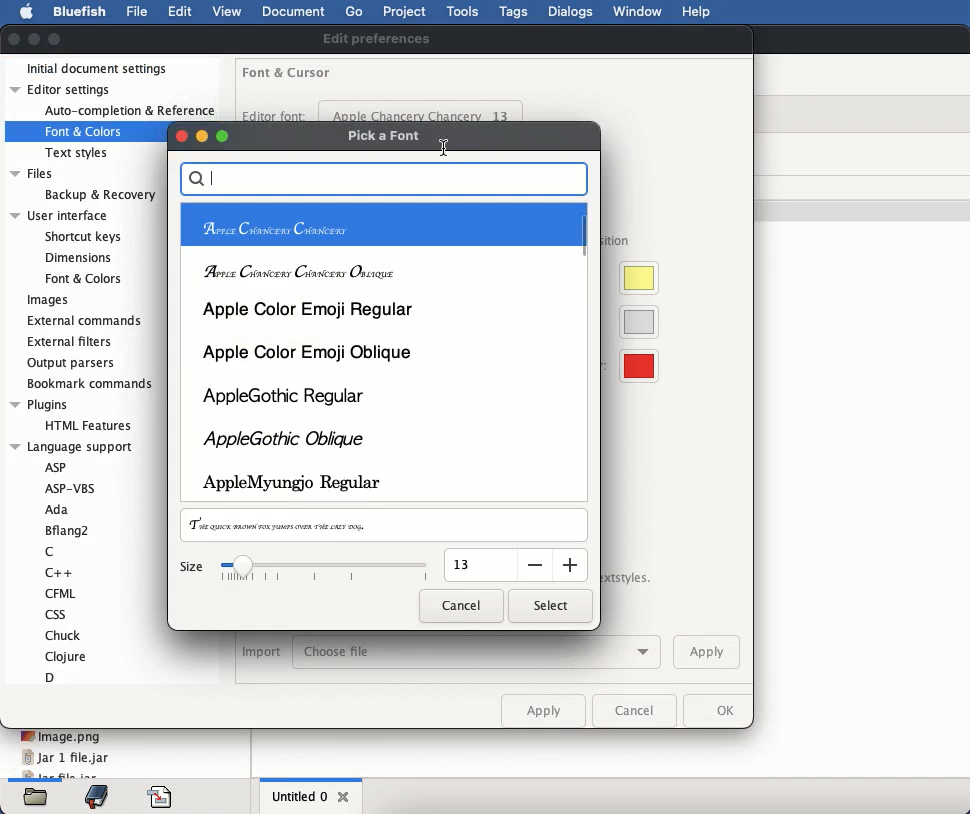 The image size is (970, 814). What do you see at coordinates (375, 41) in the screenshot?
I see `edit preferences ` at bounding box center [375, 41].